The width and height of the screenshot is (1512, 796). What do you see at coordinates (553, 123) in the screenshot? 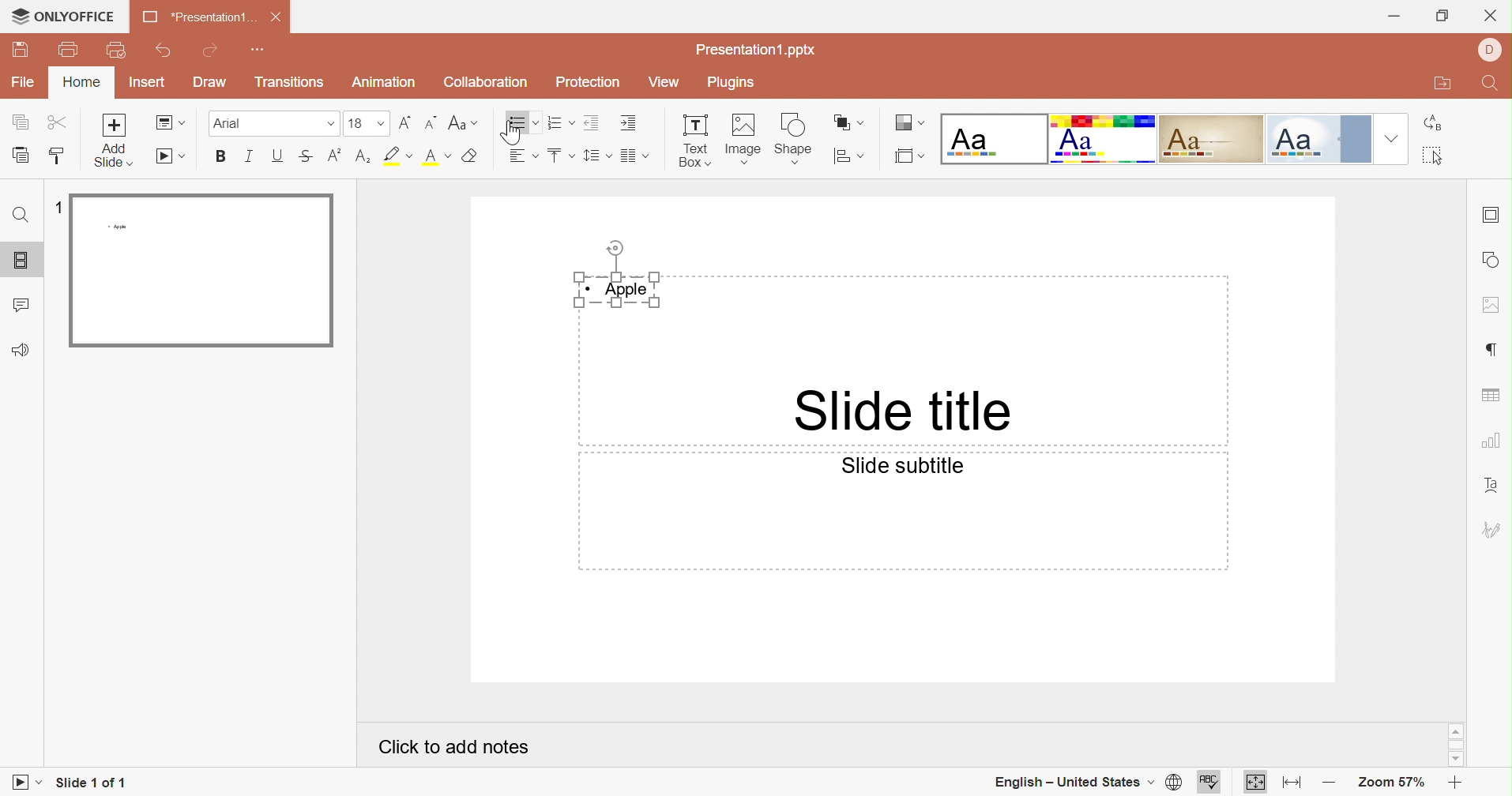
I see `Numbering` at bounding box center [553, 123].